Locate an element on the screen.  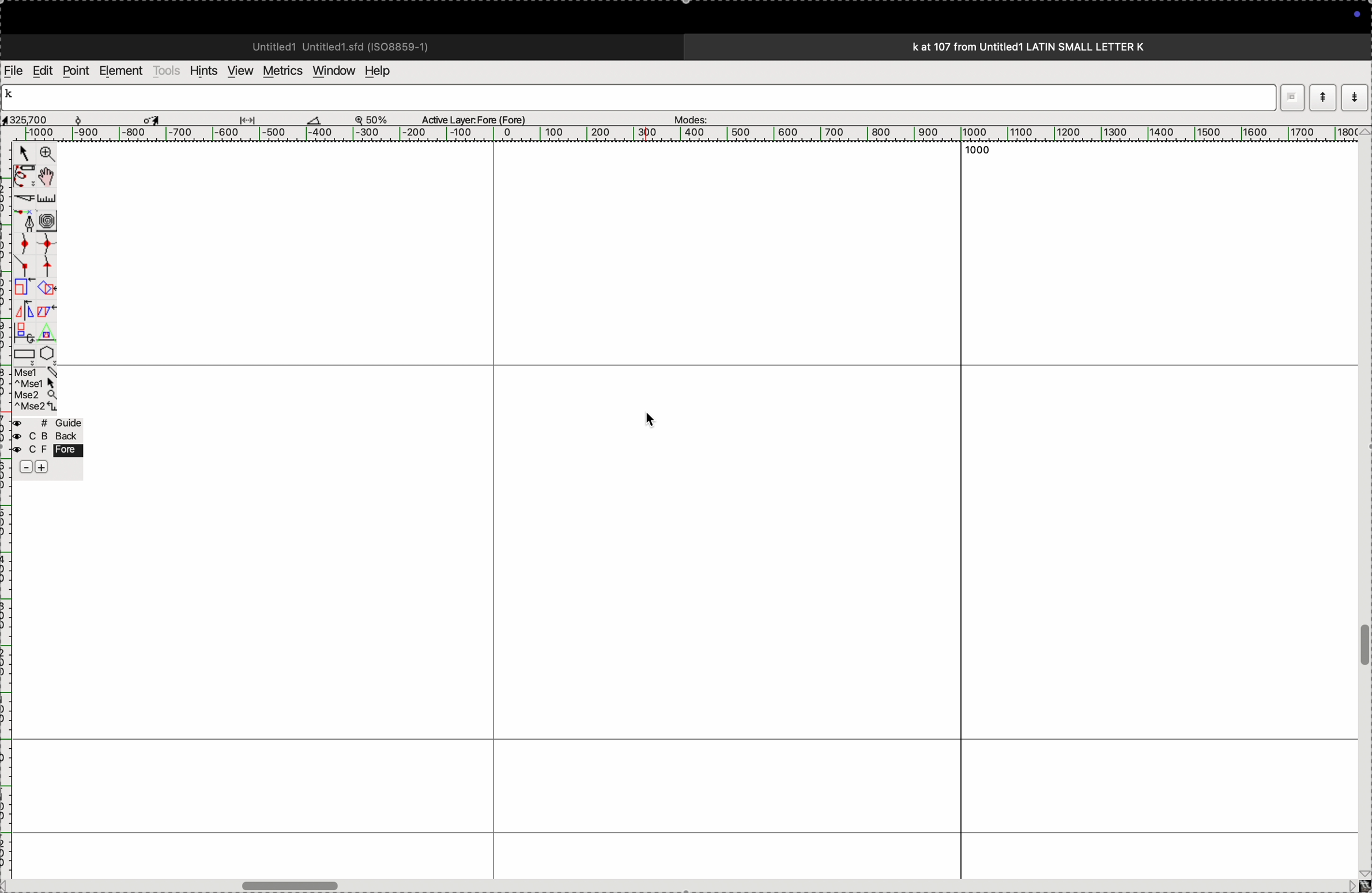
co ordinates is located at coordinates (40, 116).